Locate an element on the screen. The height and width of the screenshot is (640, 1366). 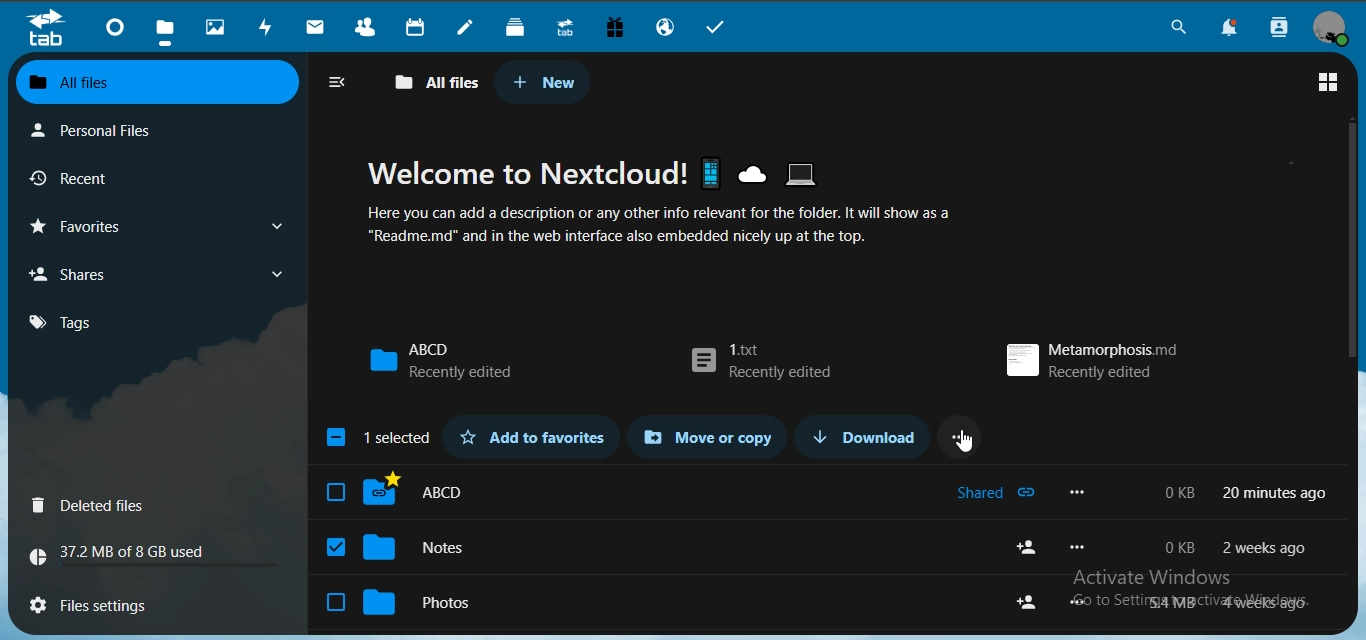
tasks is located at coordinates (719, 27).